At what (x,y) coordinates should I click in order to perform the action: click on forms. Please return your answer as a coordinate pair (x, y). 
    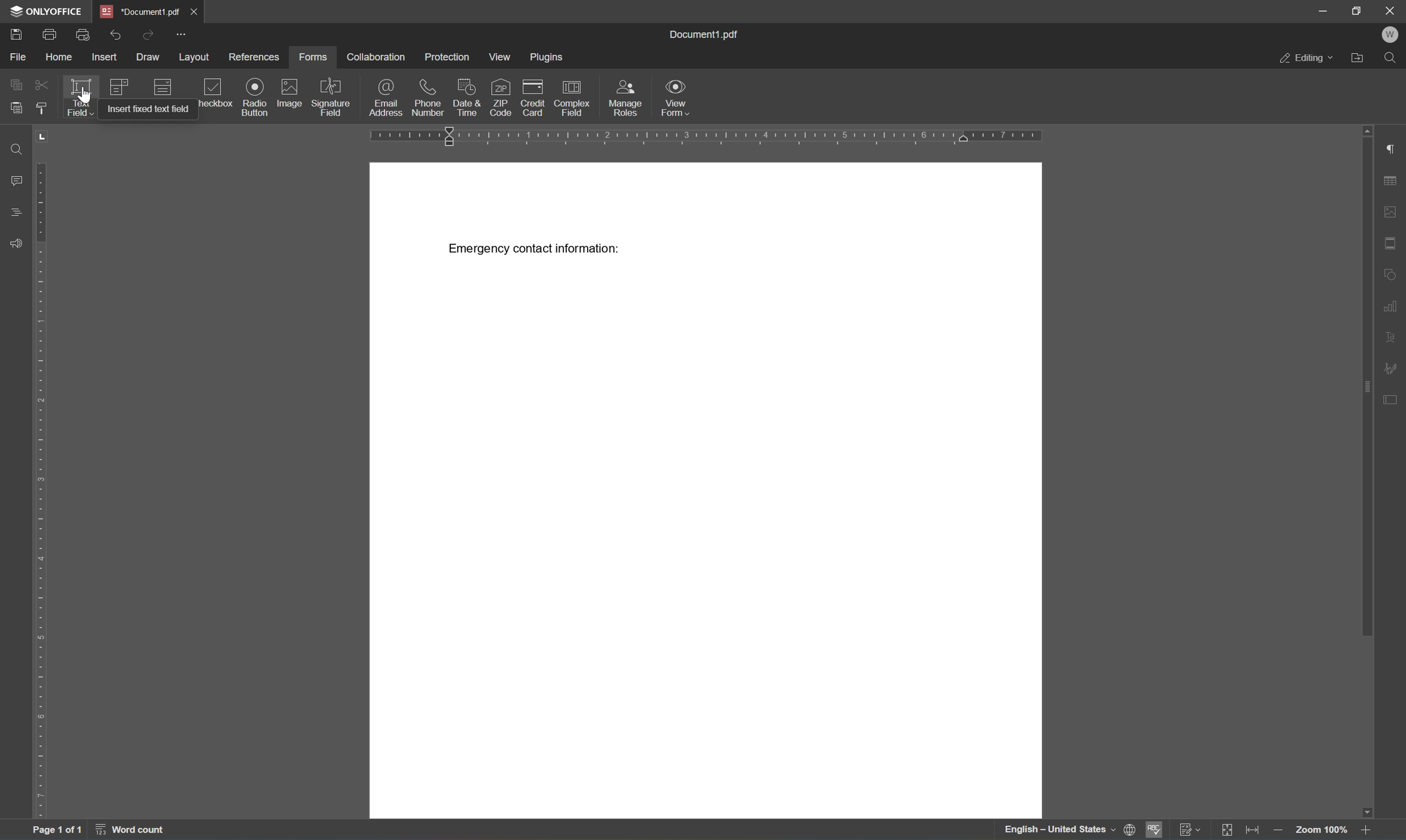
    Looking at the image, I should click on (314, 57).